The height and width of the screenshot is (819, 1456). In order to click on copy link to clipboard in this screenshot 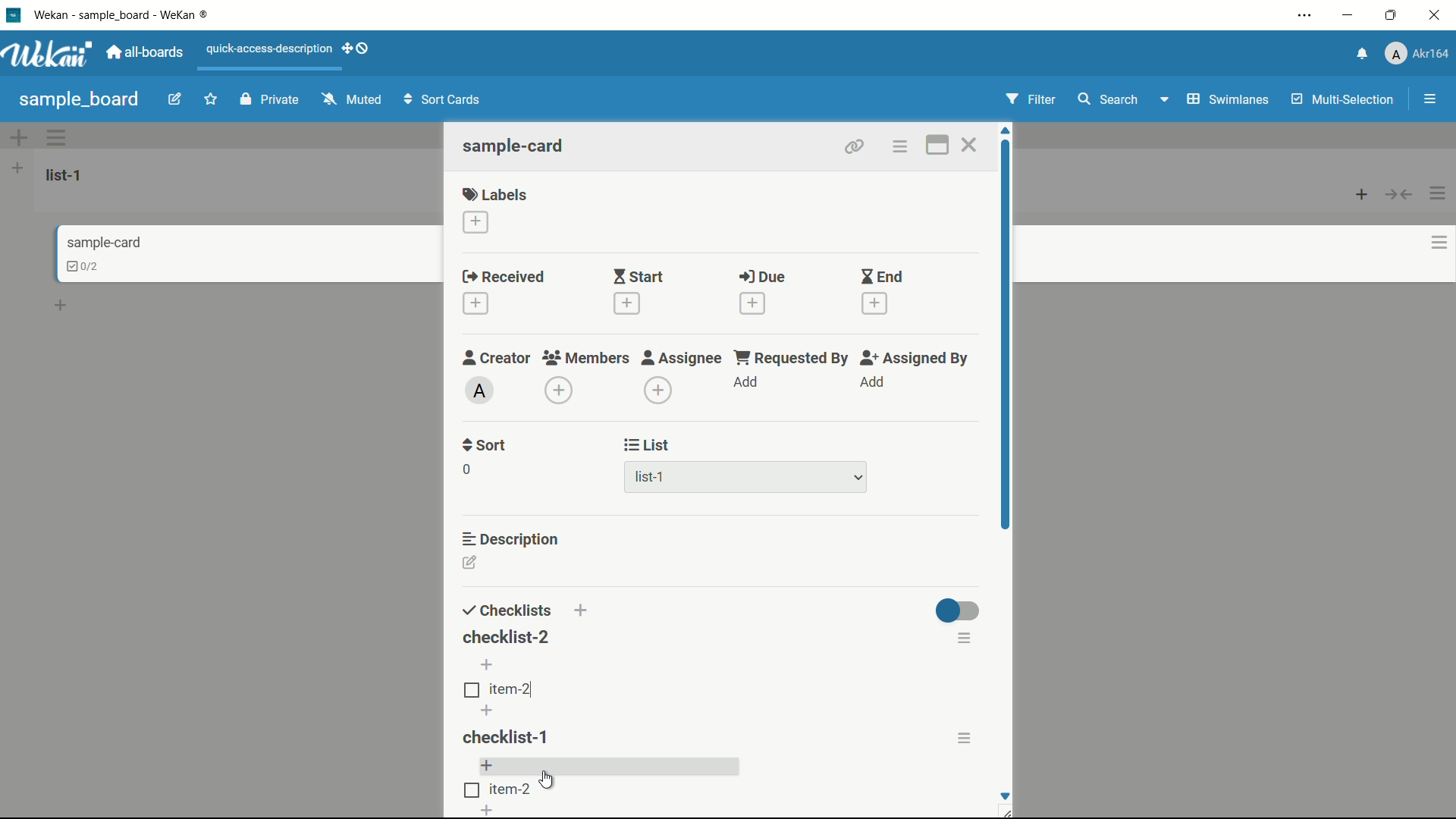, I will do `click(852, 146)`.